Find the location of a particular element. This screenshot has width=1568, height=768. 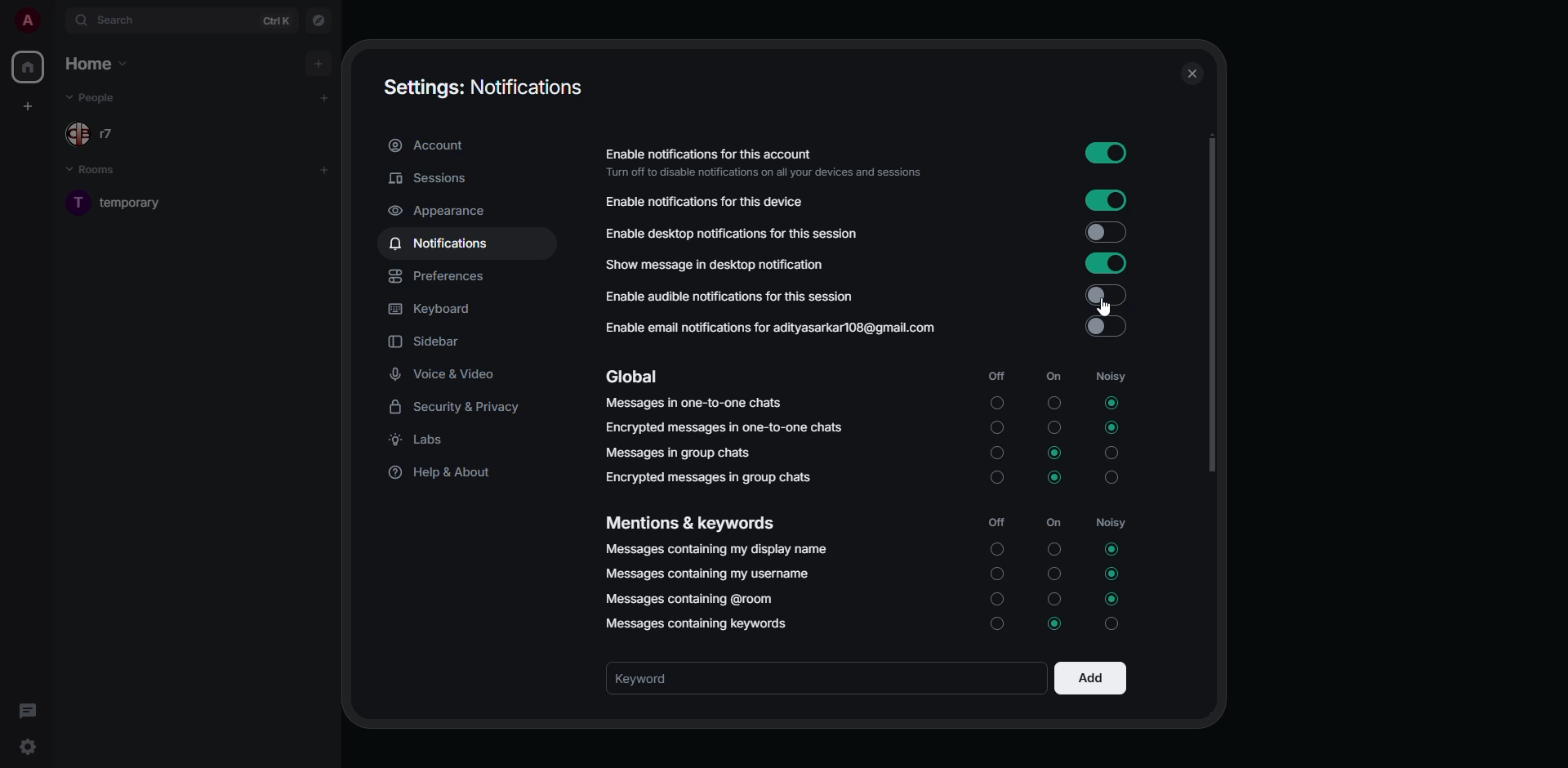

account is located at coordinates (432, 147).